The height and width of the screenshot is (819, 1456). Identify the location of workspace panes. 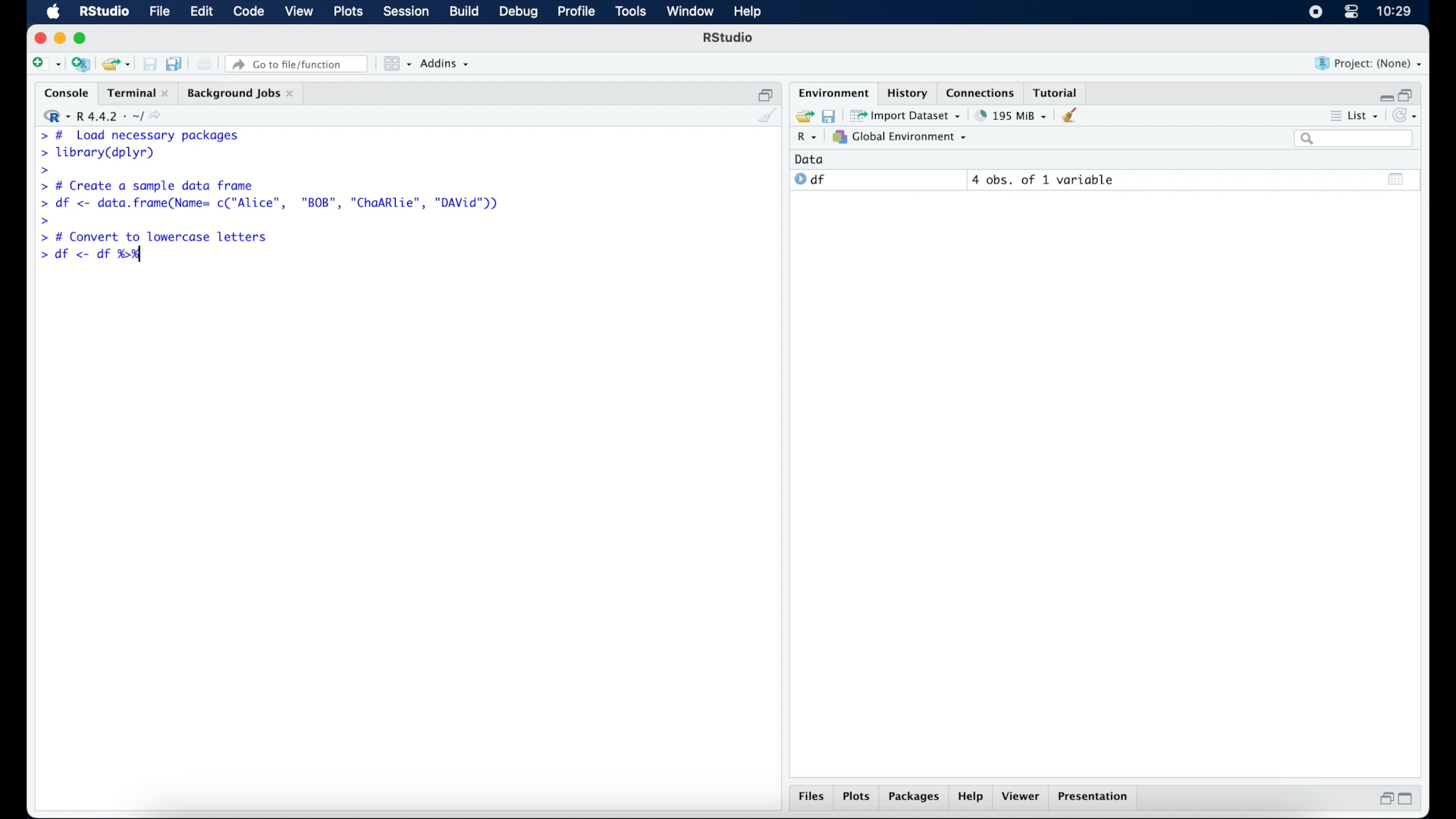
(396, 64).